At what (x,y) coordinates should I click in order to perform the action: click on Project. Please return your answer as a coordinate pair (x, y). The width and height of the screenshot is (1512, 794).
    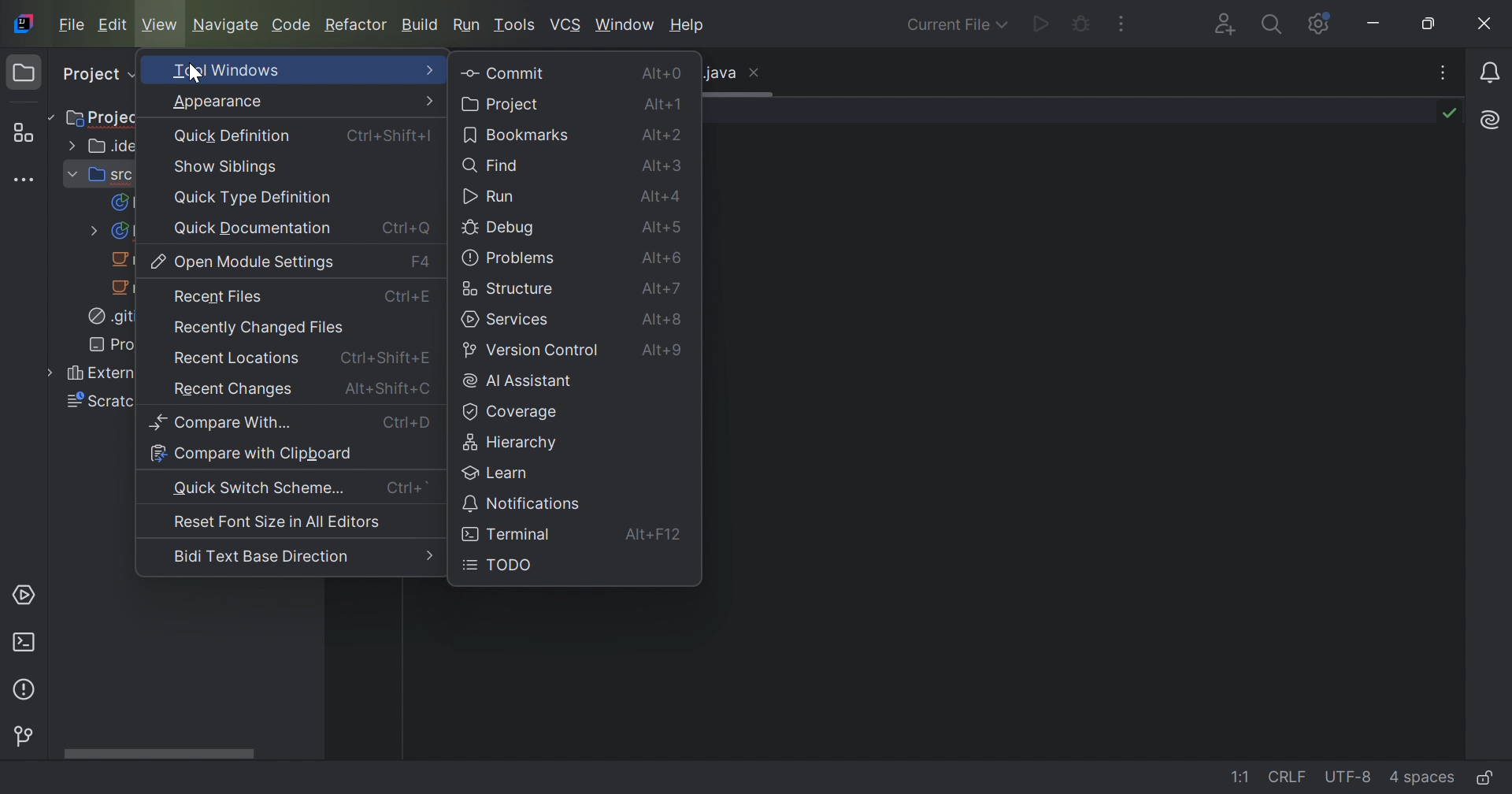
    Looking at the image, I should click on (503, 106).